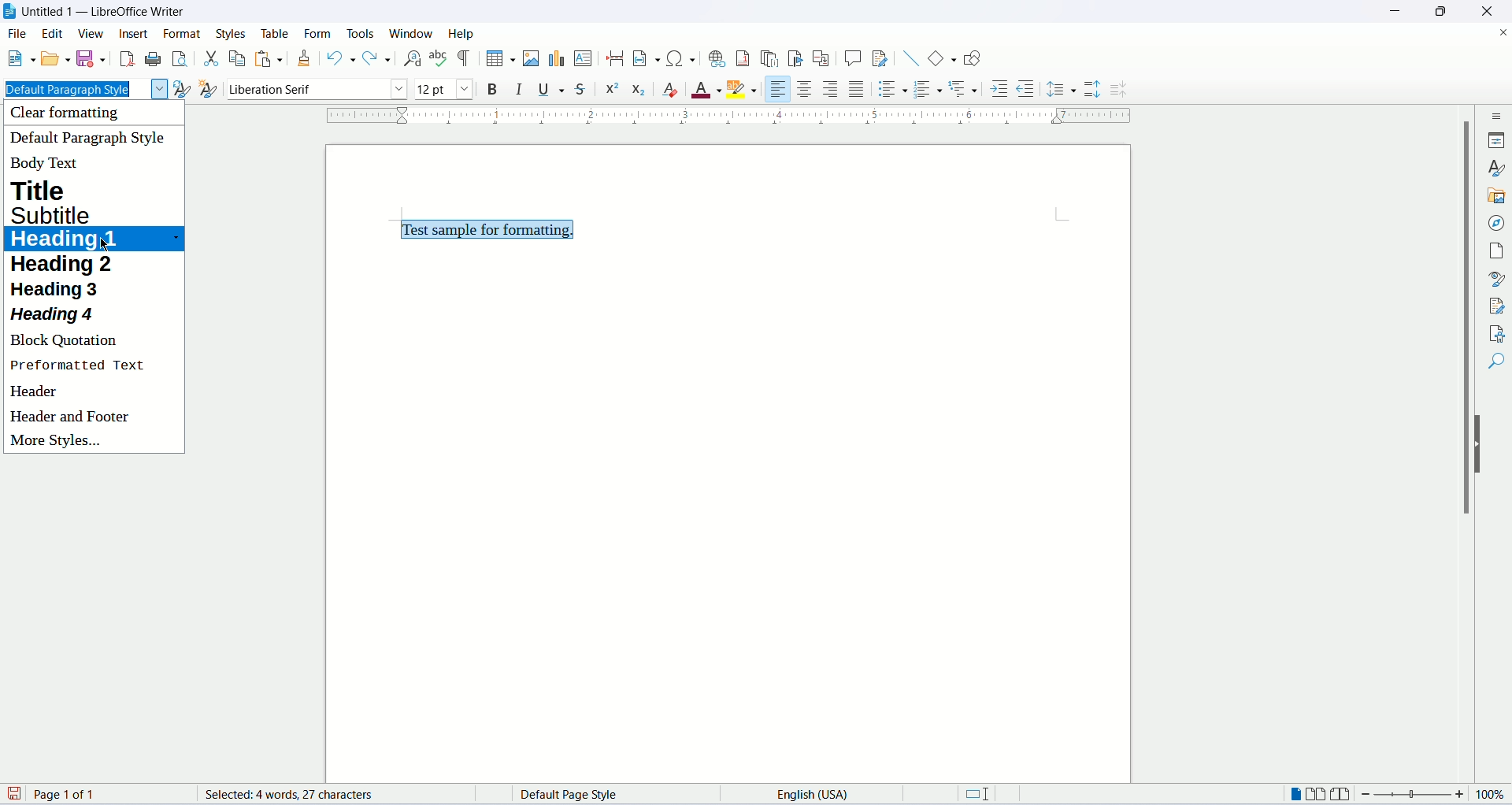 The image size is (1512, 805). What do you see at coordinates (1343, 794) in the screenshot?
I see `book view` at bounding box center [1343, 794].